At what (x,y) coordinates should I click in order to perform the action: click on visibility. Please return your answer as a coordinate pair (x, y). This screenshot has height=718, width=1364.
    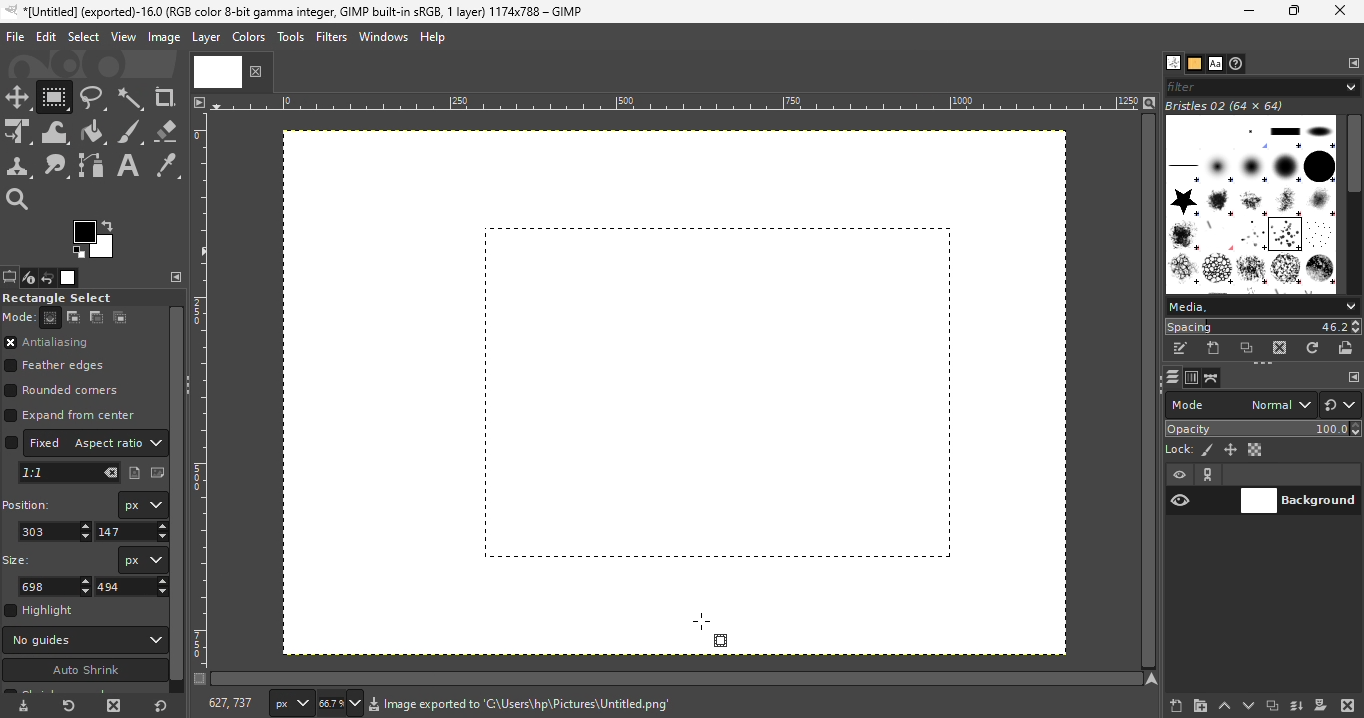
    Looking at the image, I should click on (1182, 476).